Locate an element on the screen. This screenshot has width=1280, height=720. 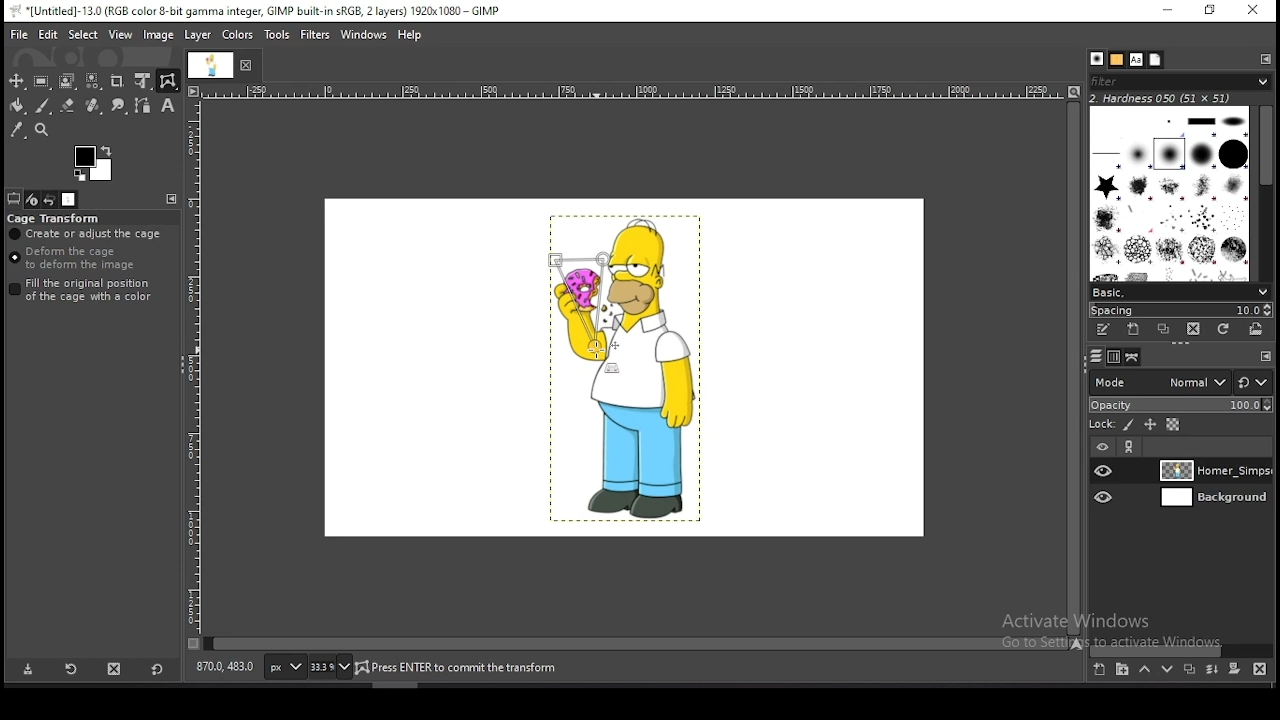
mouse pointer is located at coordinates (598, 350).